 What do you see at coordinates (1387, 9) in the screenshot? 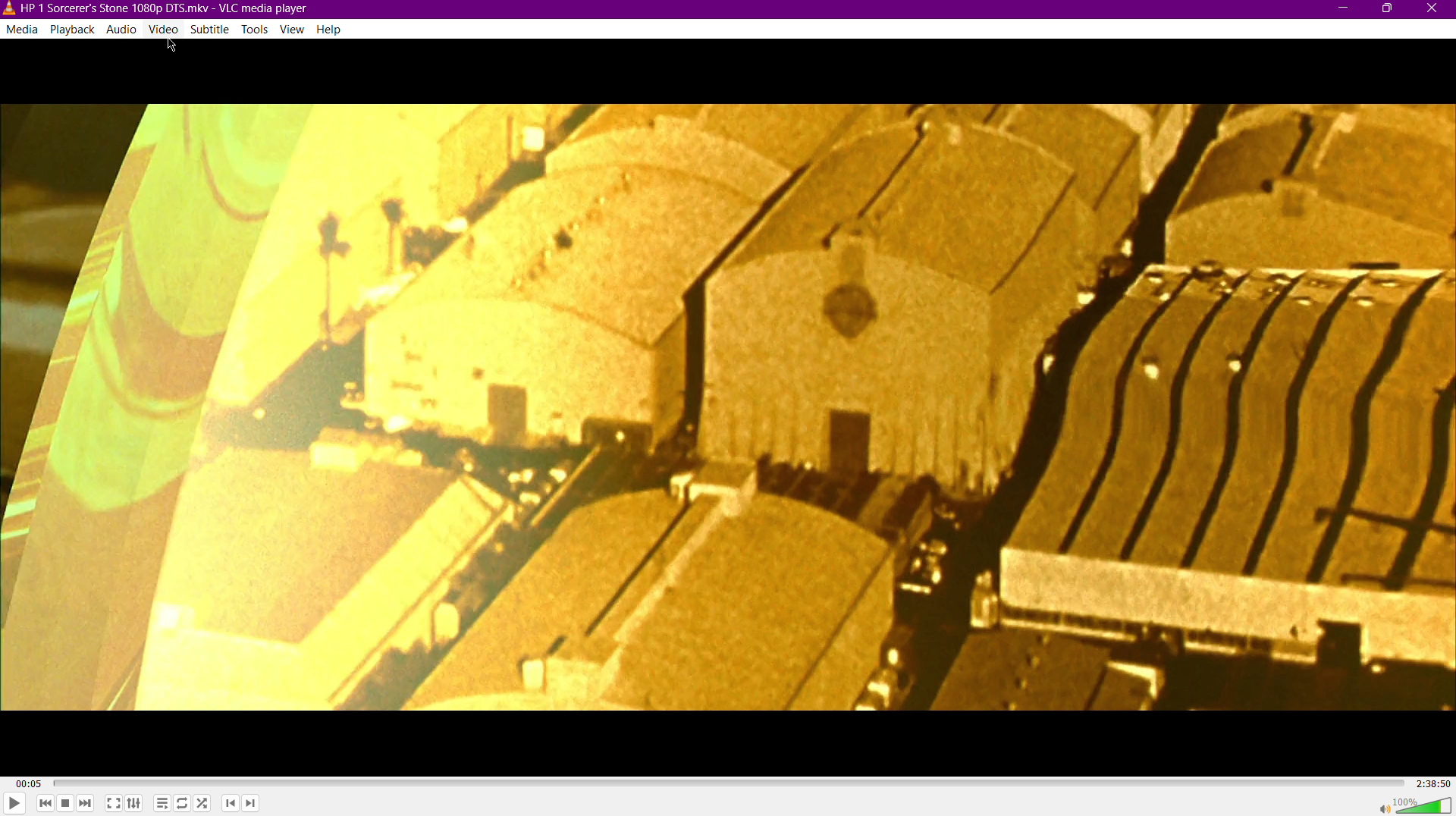
I see `Maximize` at bounding box center [1387, 9].